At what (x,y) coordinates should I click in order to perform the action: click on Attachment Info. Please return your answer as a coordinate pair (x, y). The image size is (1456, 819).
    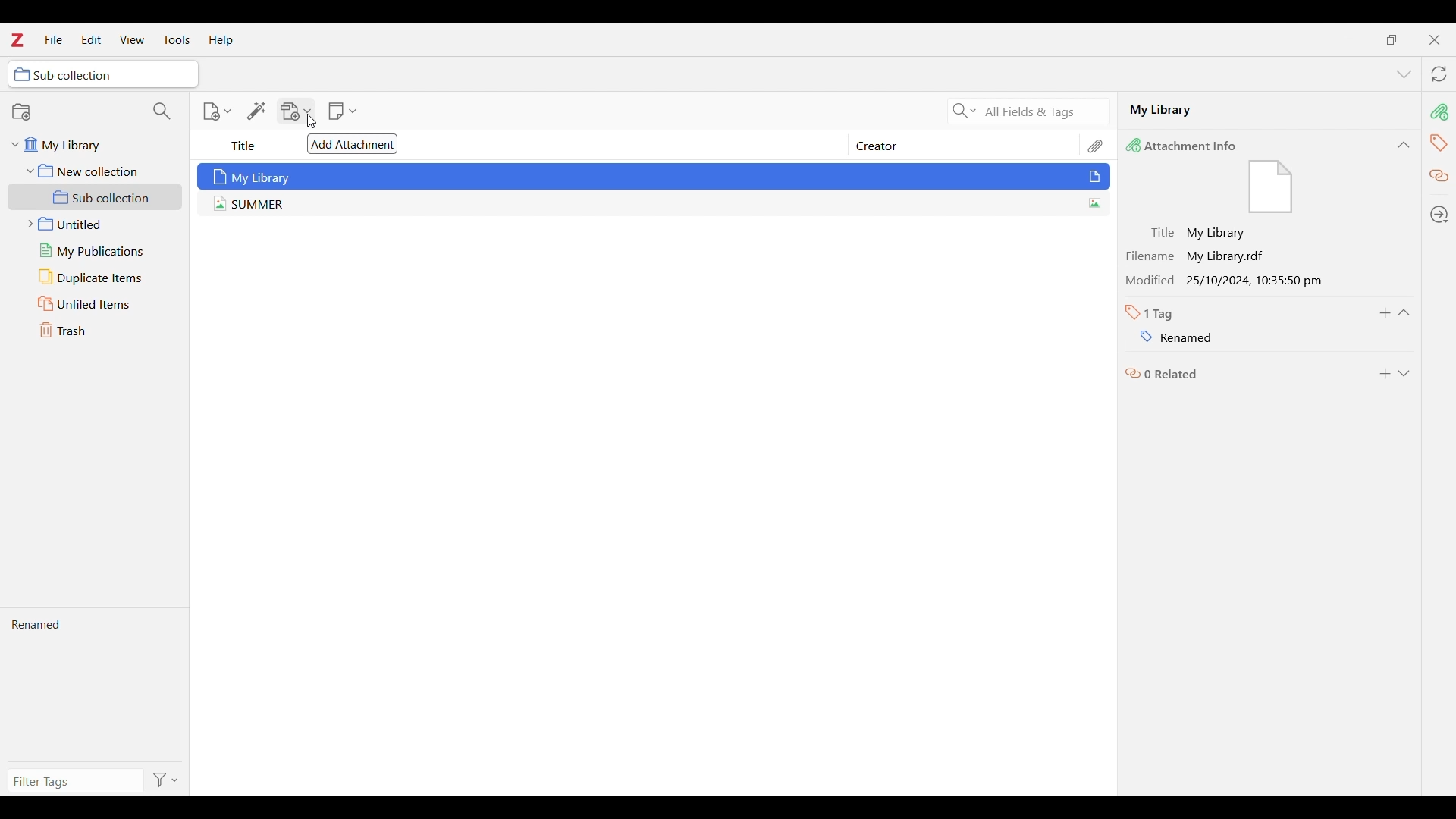
    Looking at the image, I should click on (1188, 146).